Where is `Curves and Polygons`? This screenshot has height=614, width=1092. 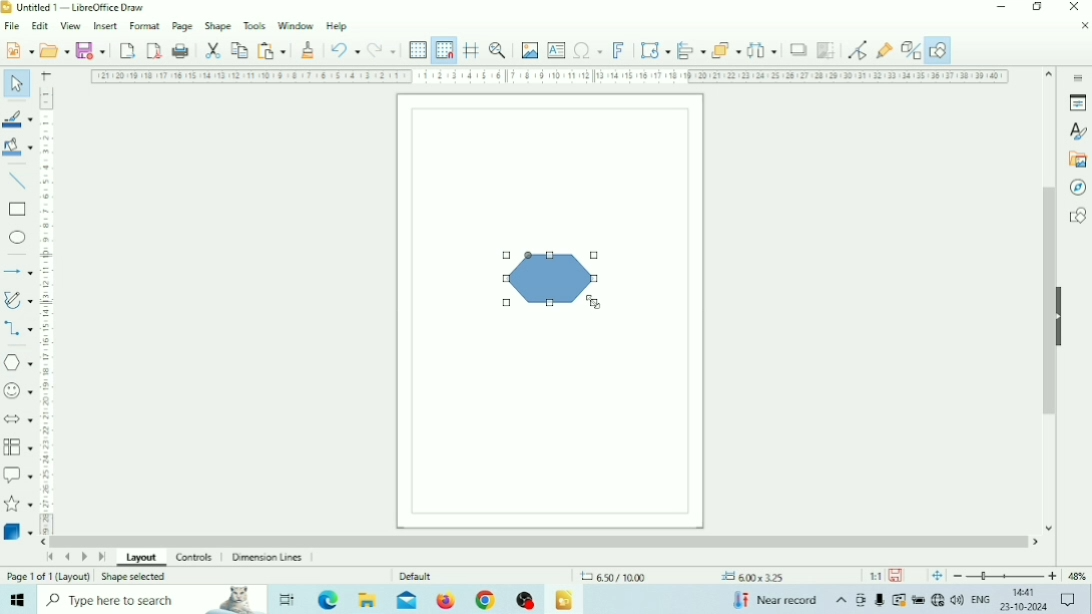
Curves and Polygons is located at coordinates (18, 300).